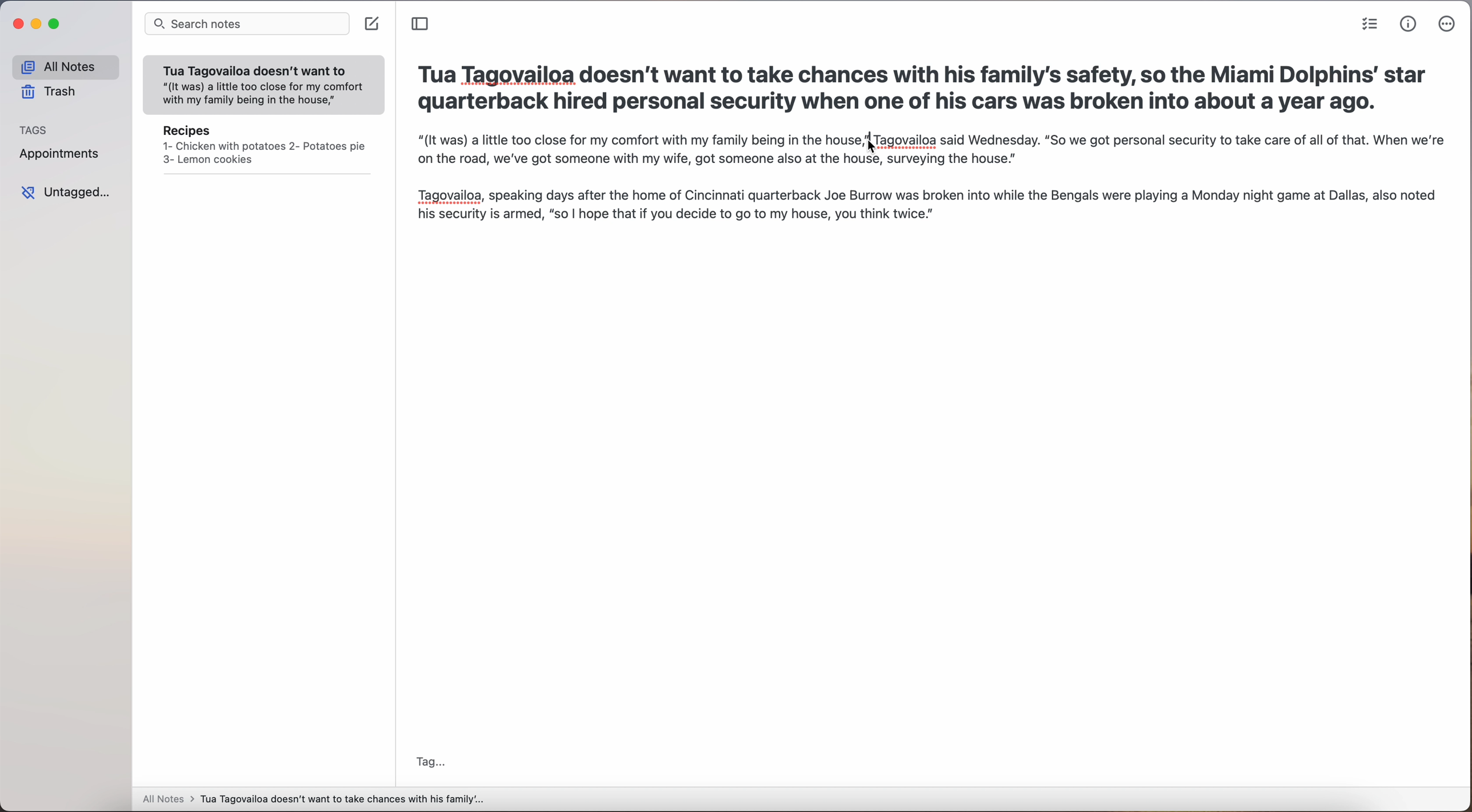 This screenshot has height=812, width=1472. What do you see at coordinates (642, 140) in the screenshot?
I see `body text Tua Tagovailoa` at bounding box center [642, 140].